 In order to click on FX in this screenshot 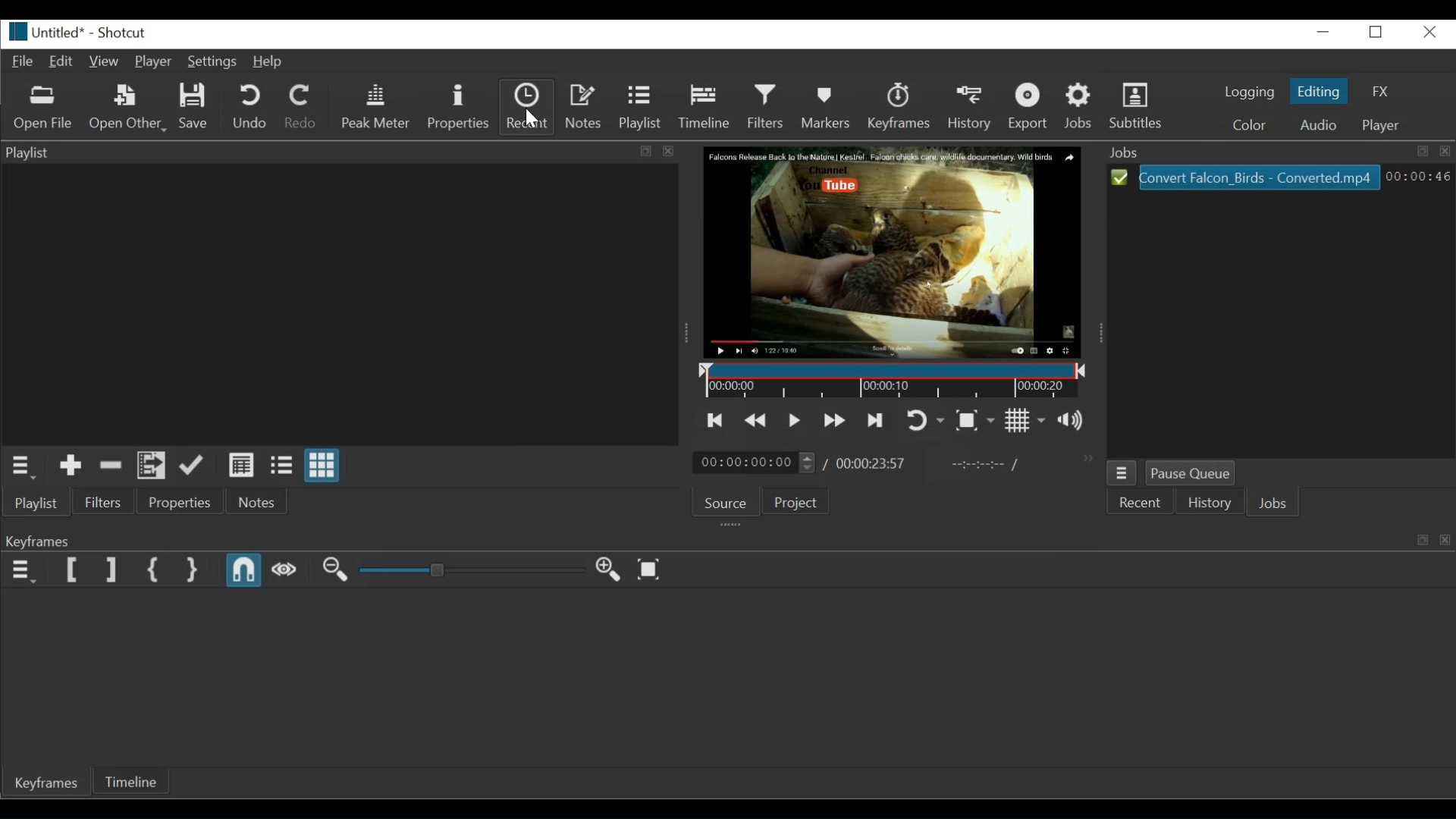, I will do `click(1377, 92)`.